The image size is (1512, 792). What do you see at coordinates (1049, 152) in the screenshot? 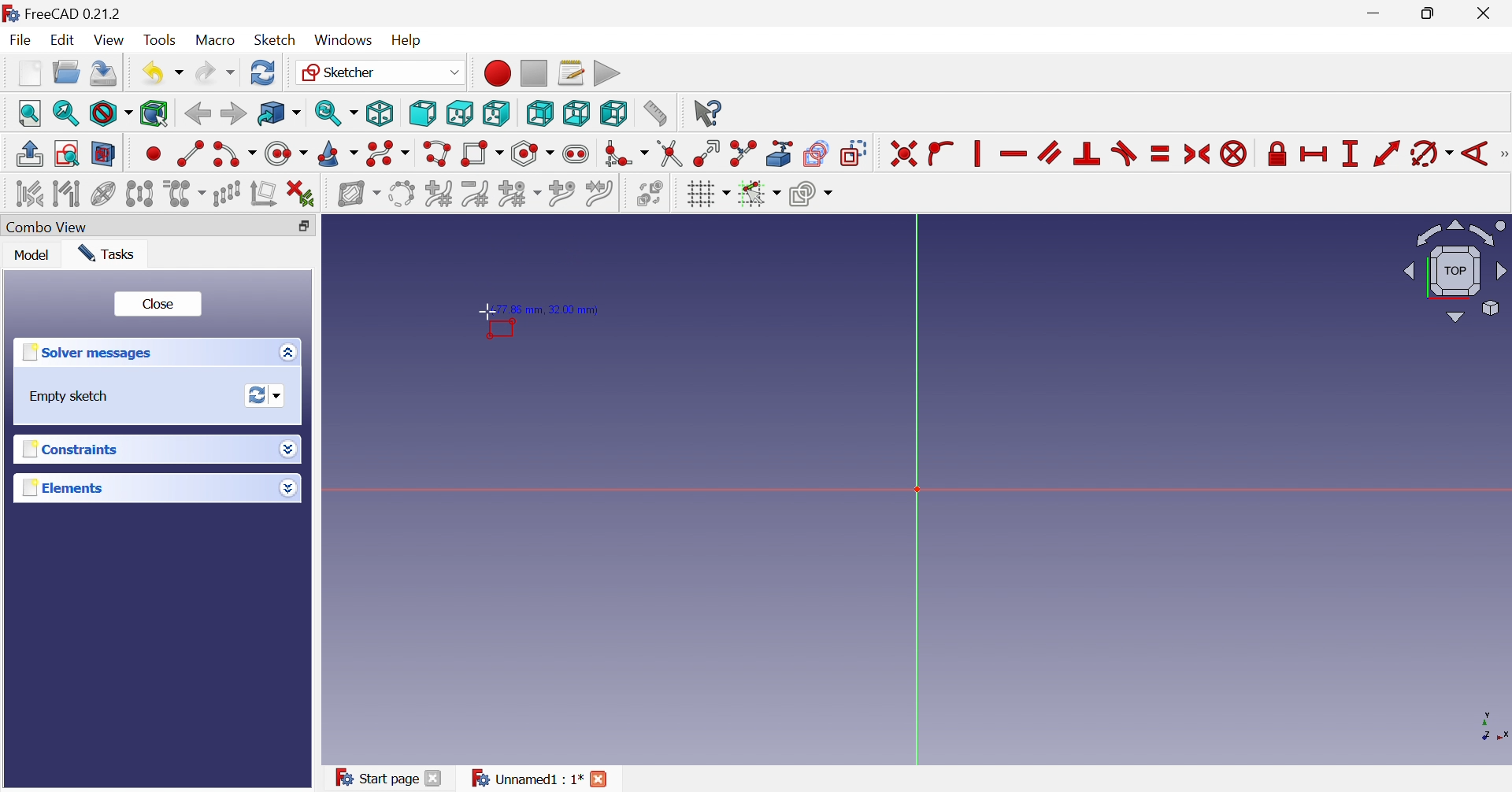
I see `Constrain parallel` at bounding box center [1049, 152].